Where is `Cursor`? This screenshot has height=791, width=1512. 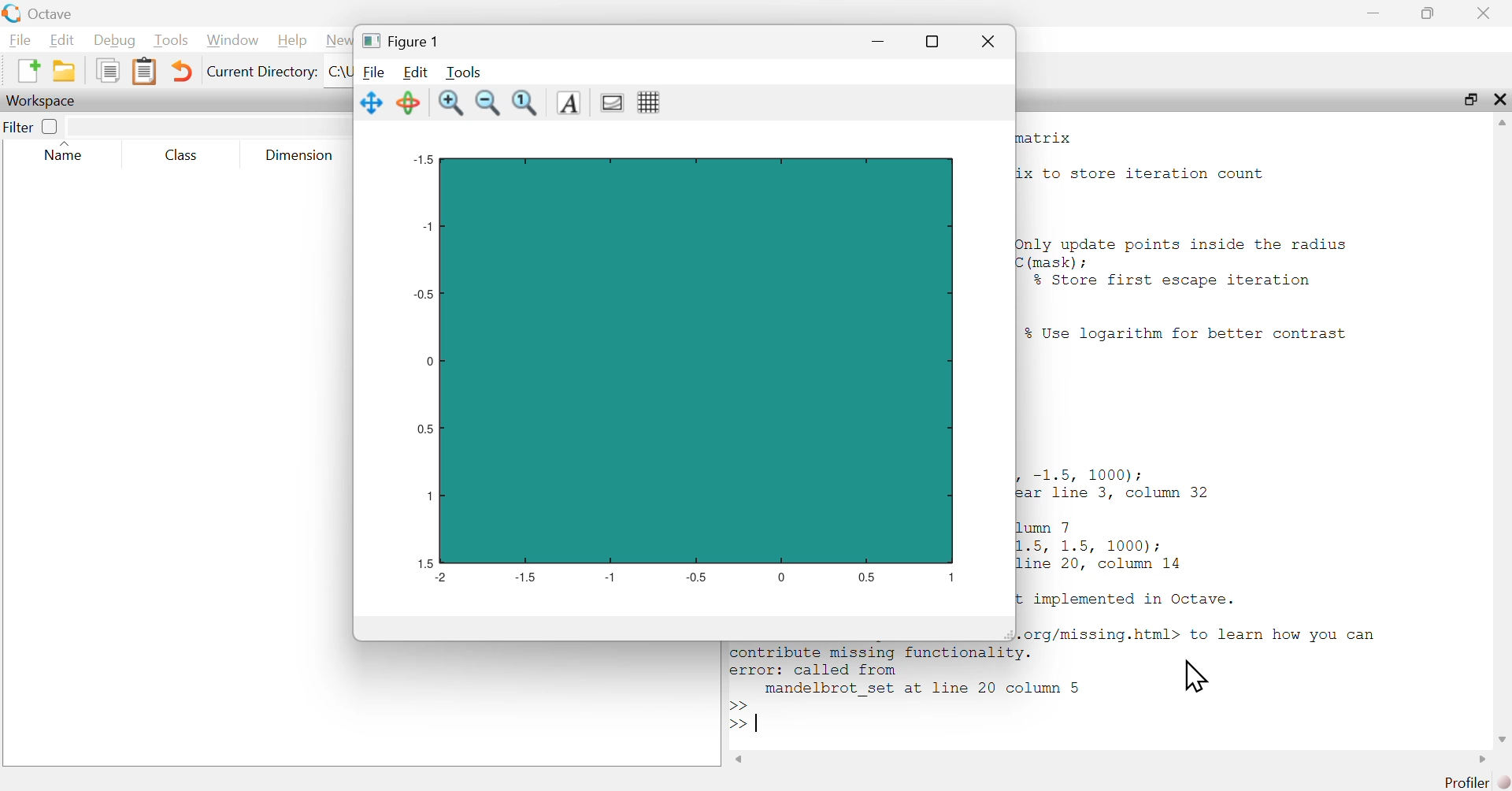
Cursor is located at coordinates (1195, 676).